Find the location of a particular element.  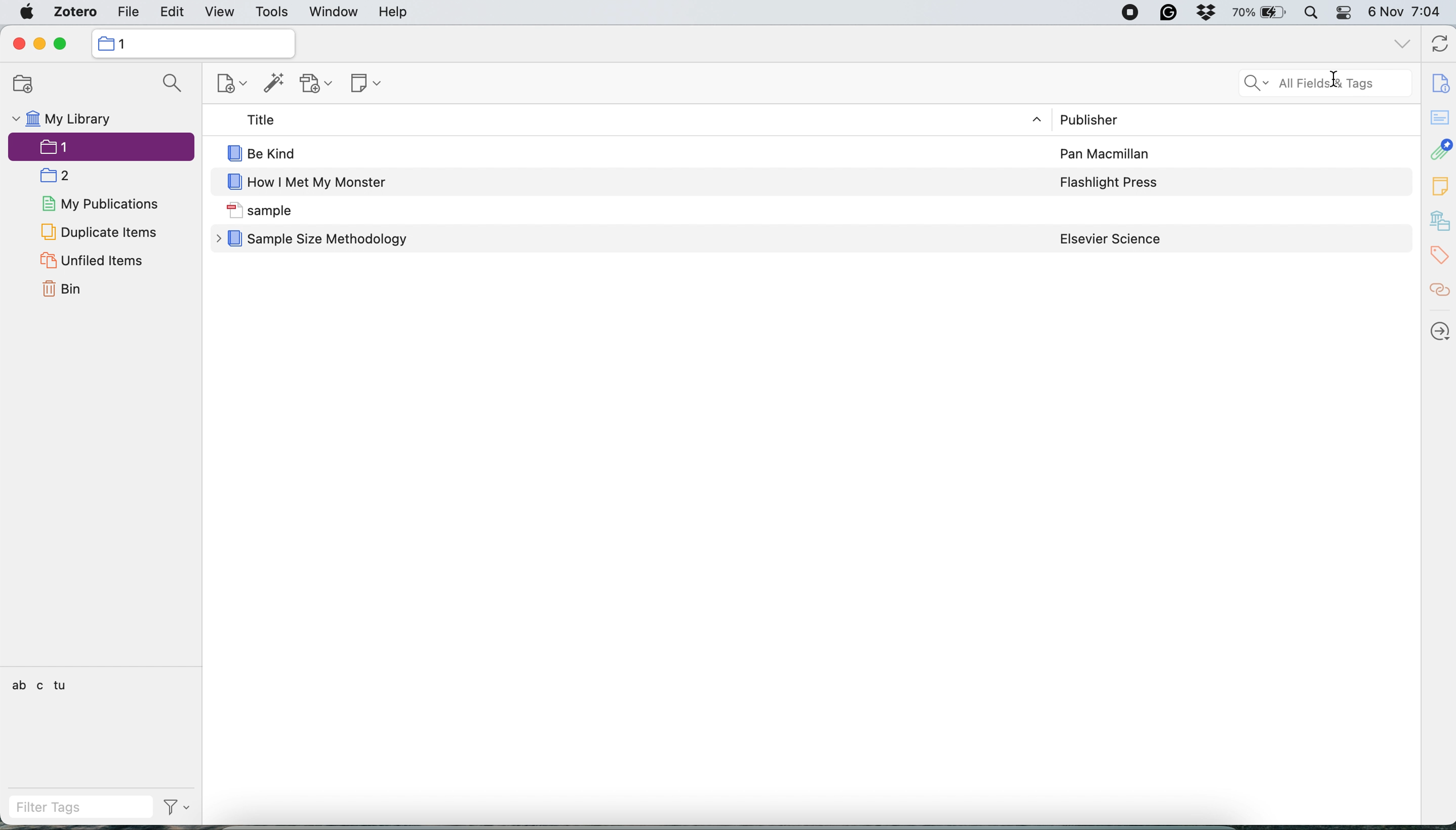

add item by identifier is located at coordinates (274, 83).